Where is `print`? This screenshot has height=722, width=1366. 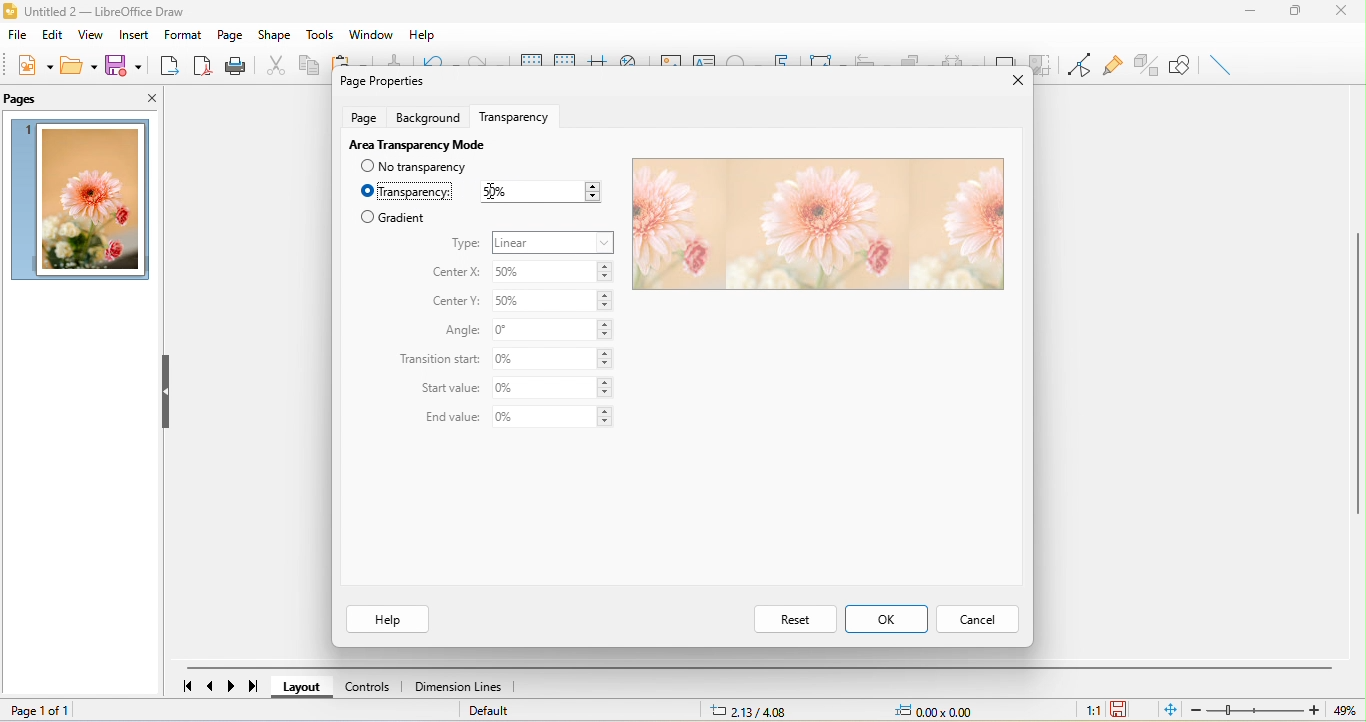
print is located at coordinates (235, 65).